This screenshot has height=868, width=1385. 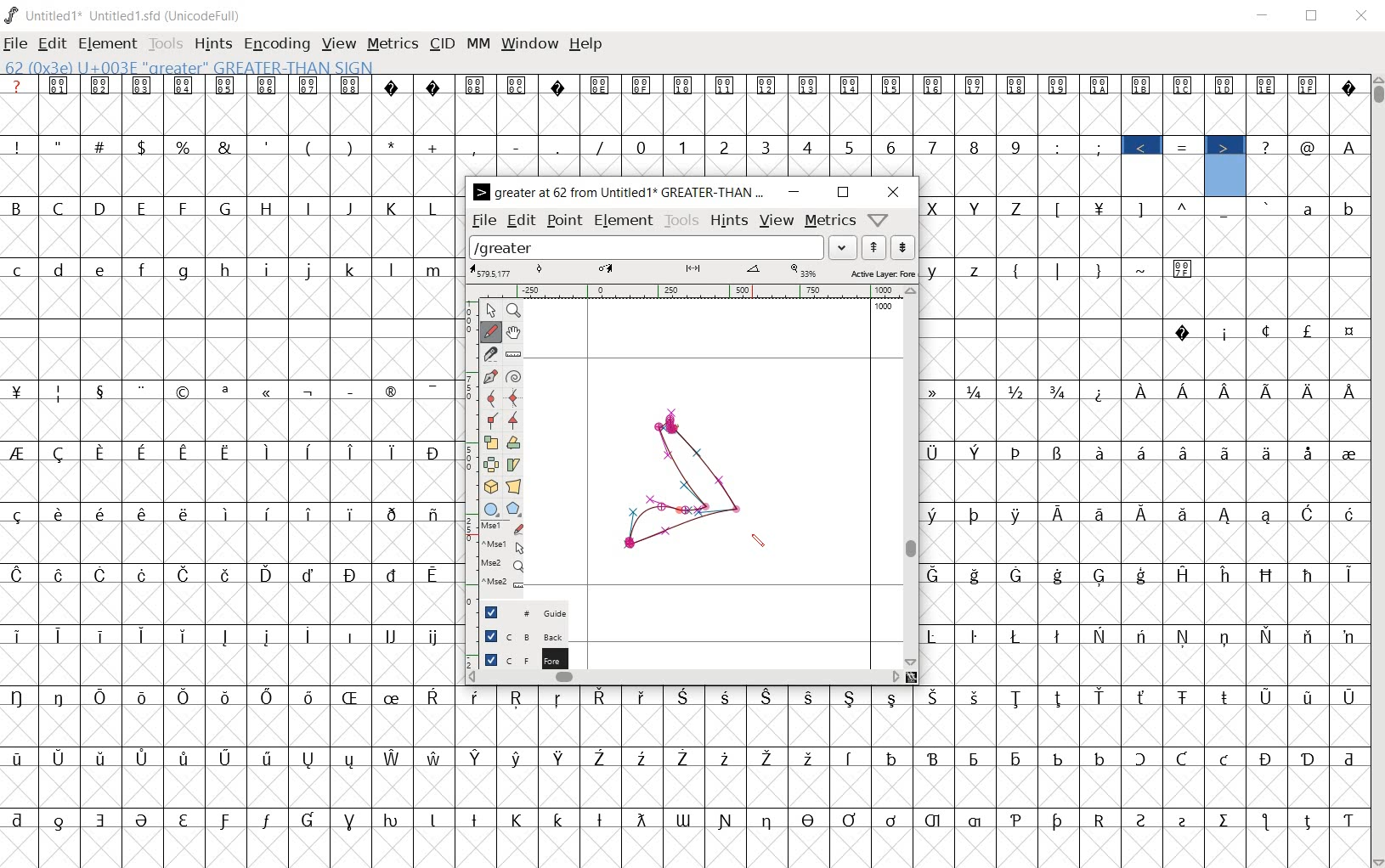 What do you see at coordinates (50, 43) in the screenshot?
I see `edit` at bounding box center [50, 43].